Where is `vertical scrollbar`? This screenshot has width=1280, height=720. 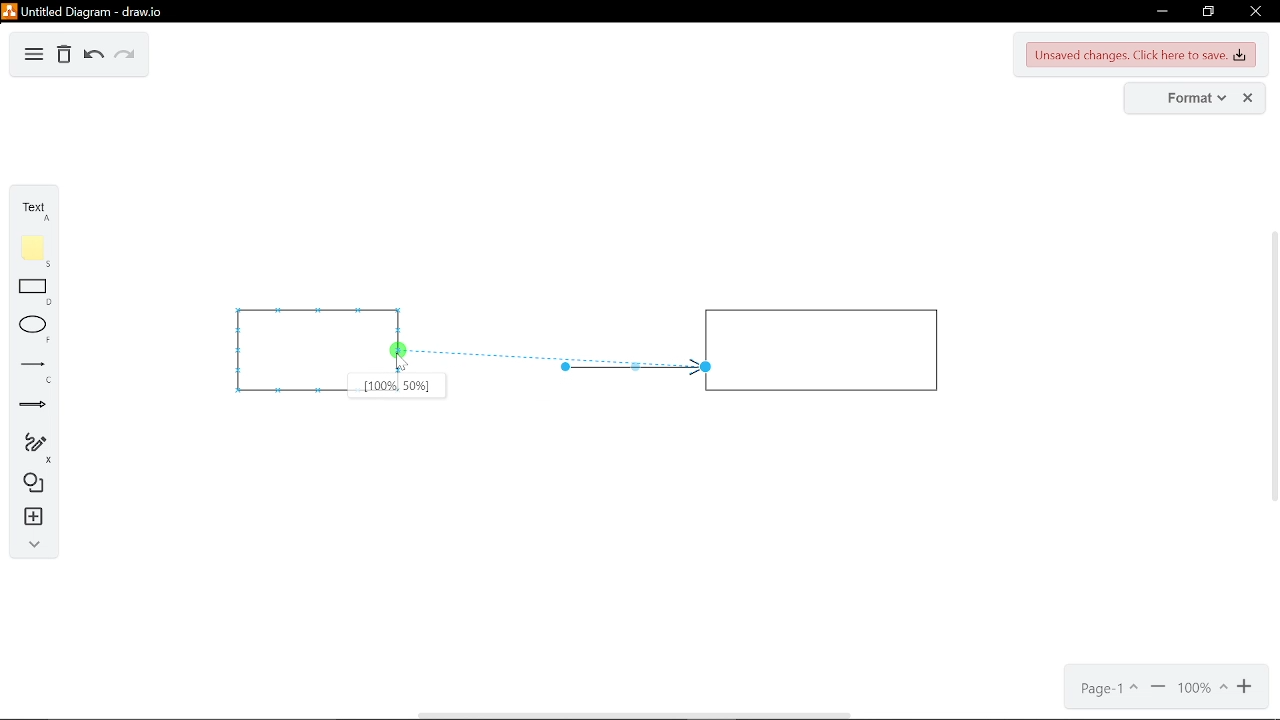
vertical scrollbar is located at coordinates (1272, 367).